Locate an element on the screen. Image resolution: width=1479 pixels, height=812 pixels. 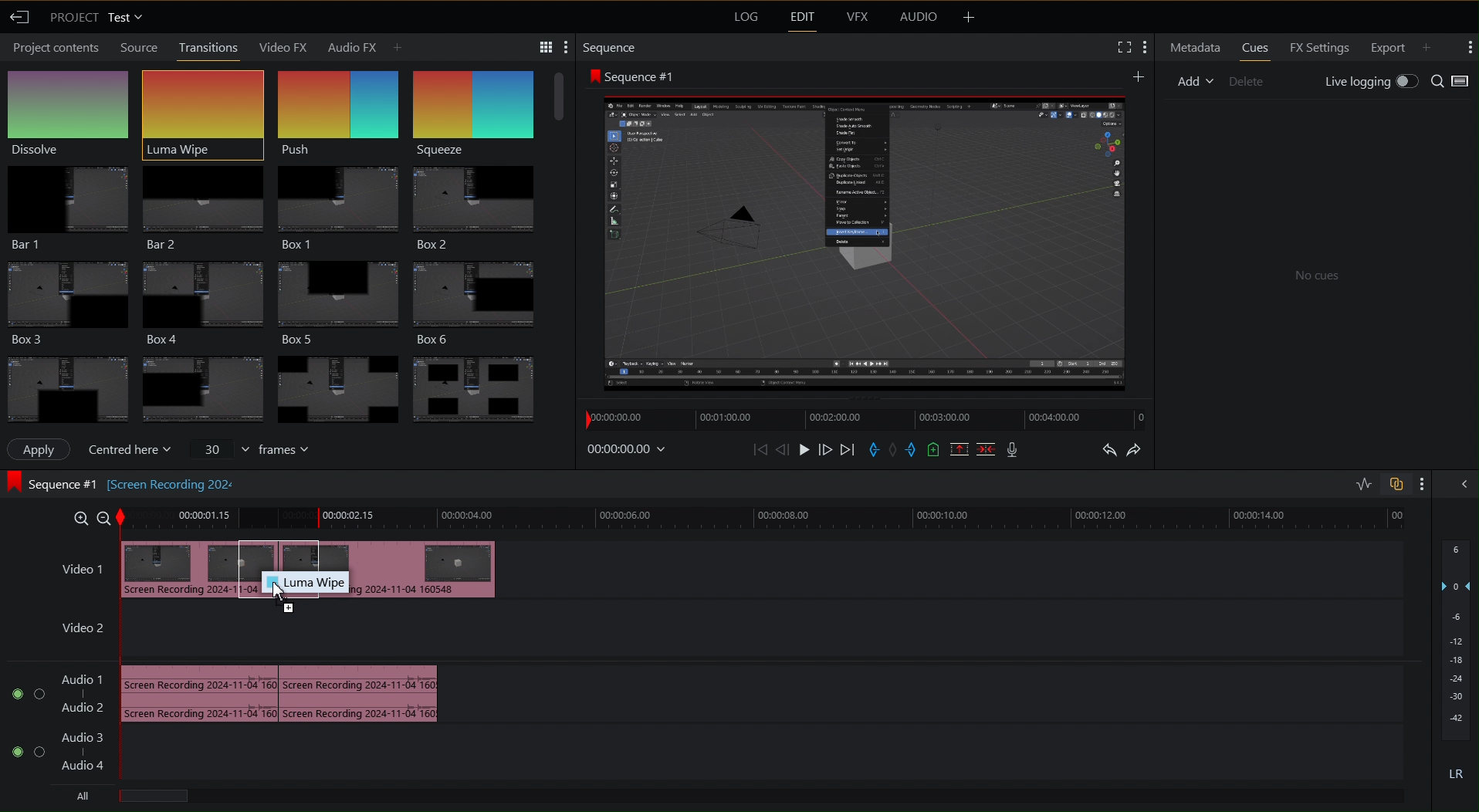
Export is located at coordinates (1388, 48).